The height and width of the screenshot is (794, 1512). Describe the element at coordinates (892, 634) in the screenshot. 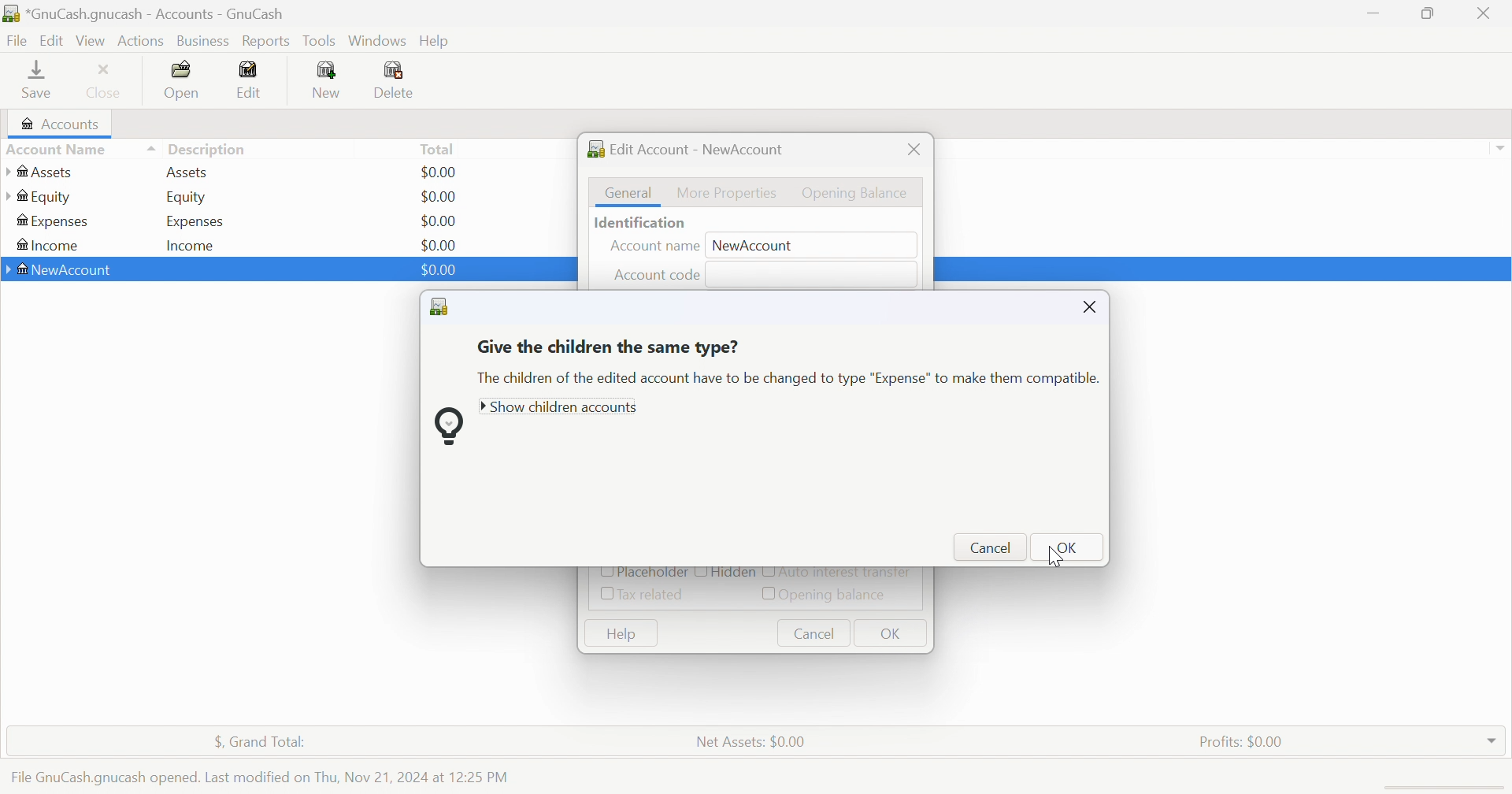

I see `OK` at that location.